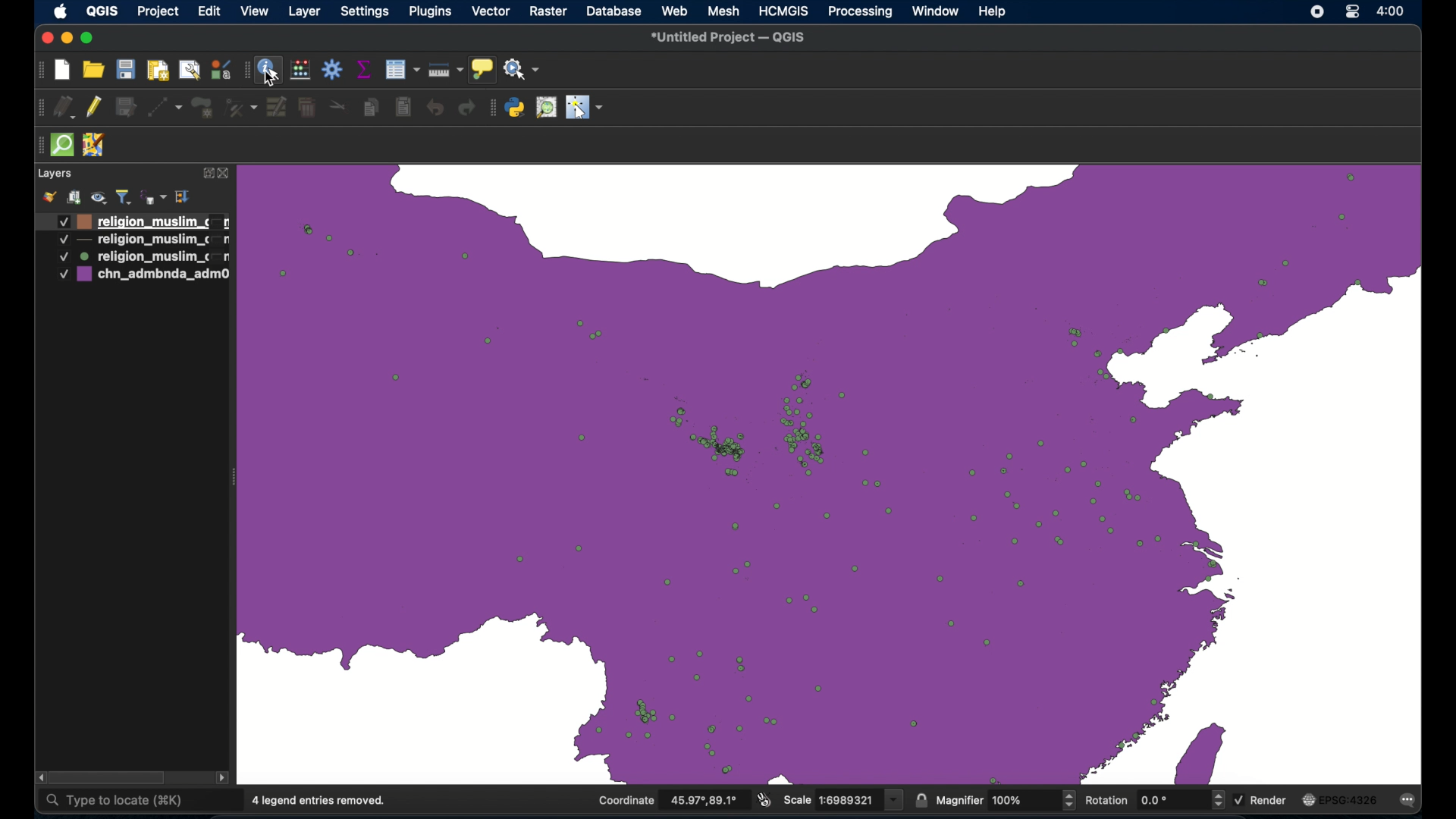  What do you see at coordinates (277, 107) in the screenshot?
I see `modify attributes` at bounding box center [277, 107].